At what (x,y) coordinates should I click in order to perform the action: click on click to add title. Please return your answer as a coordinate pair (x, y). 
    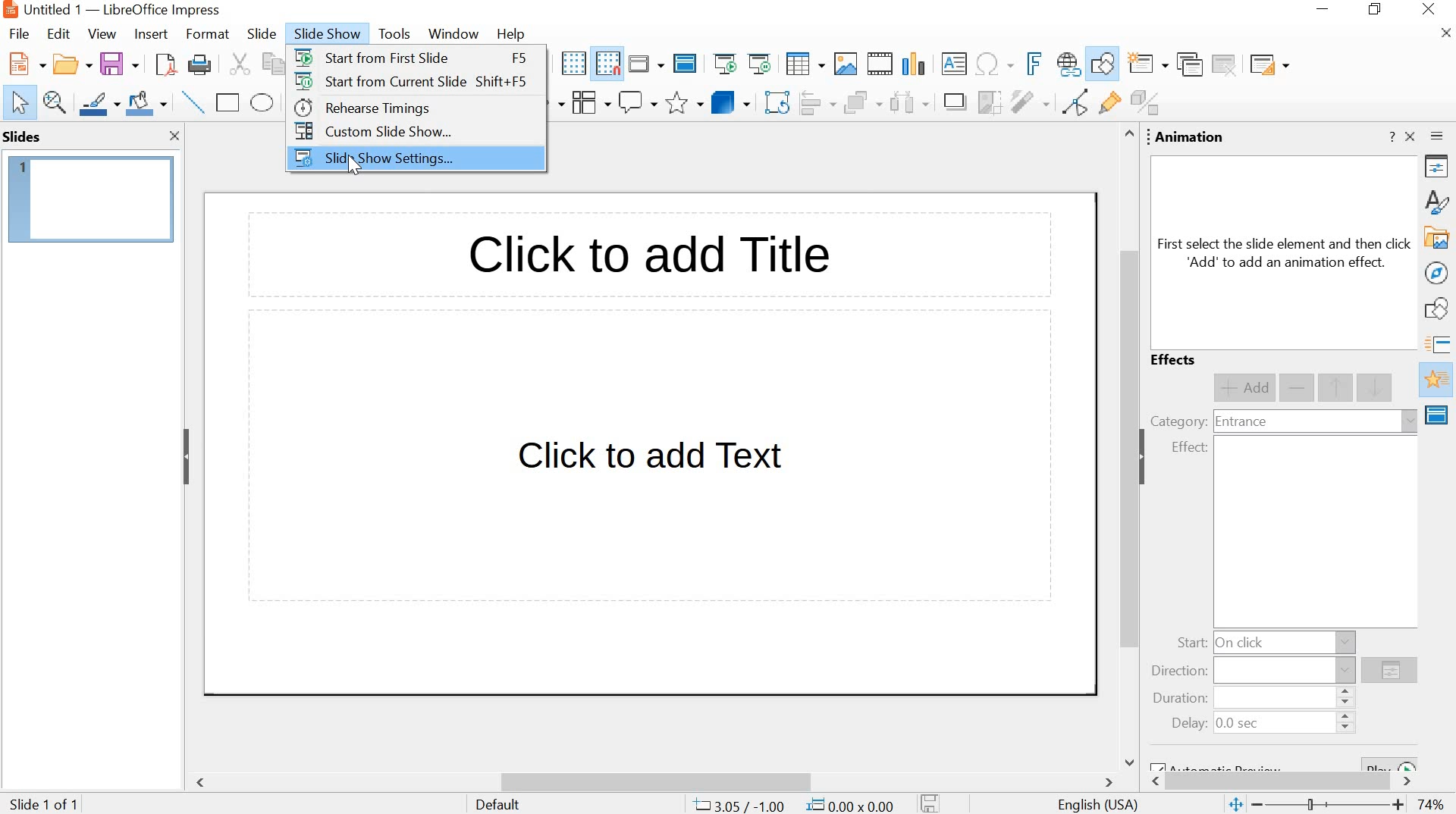
    Looking at the image, I should click on (645, 258).